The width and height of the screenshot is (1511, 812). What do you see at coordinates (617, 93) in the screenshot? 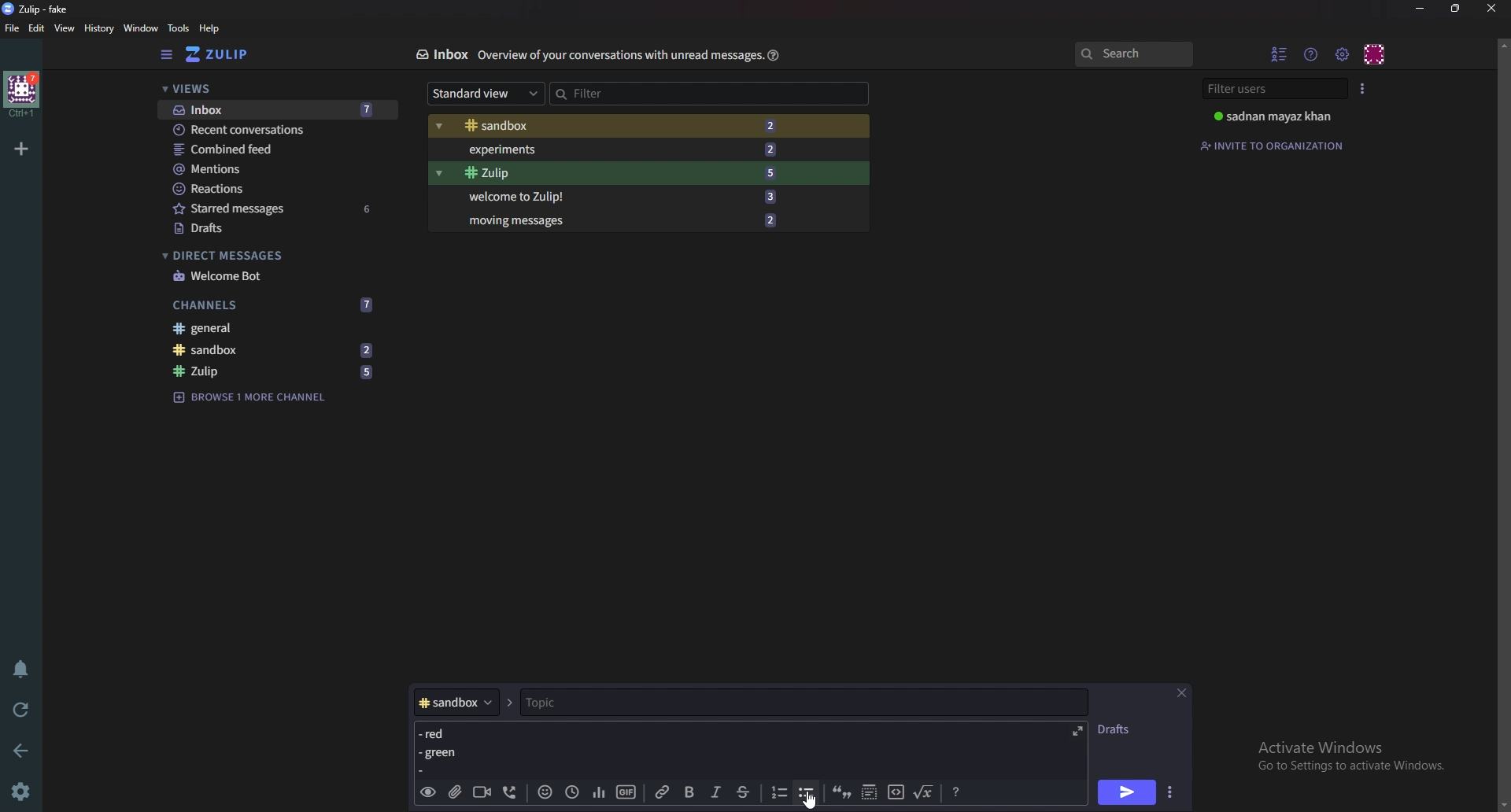
I see `Filter` at bounding box center [617, 93].